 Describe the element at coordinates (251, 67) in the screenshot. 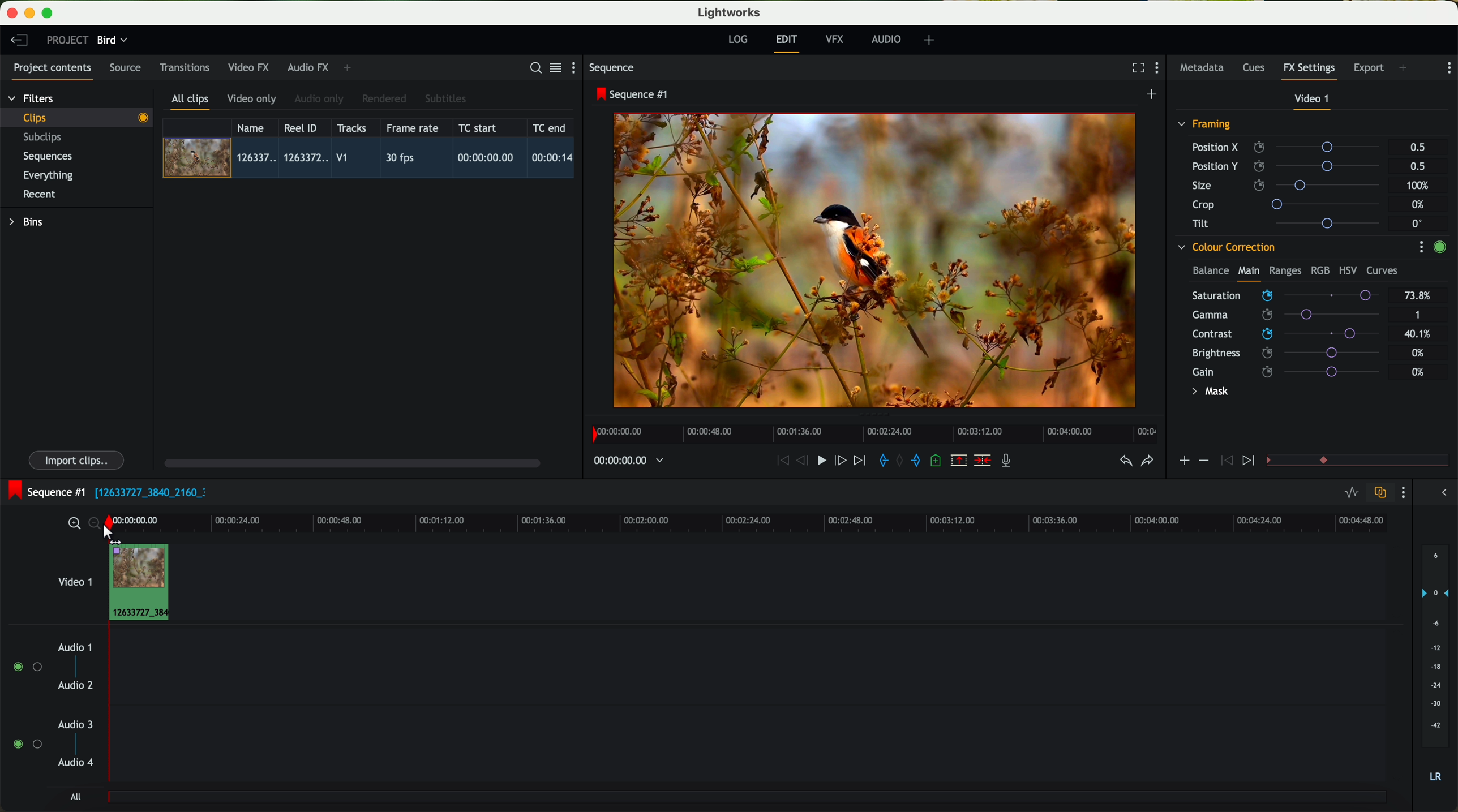

I see `video FX` at that location.